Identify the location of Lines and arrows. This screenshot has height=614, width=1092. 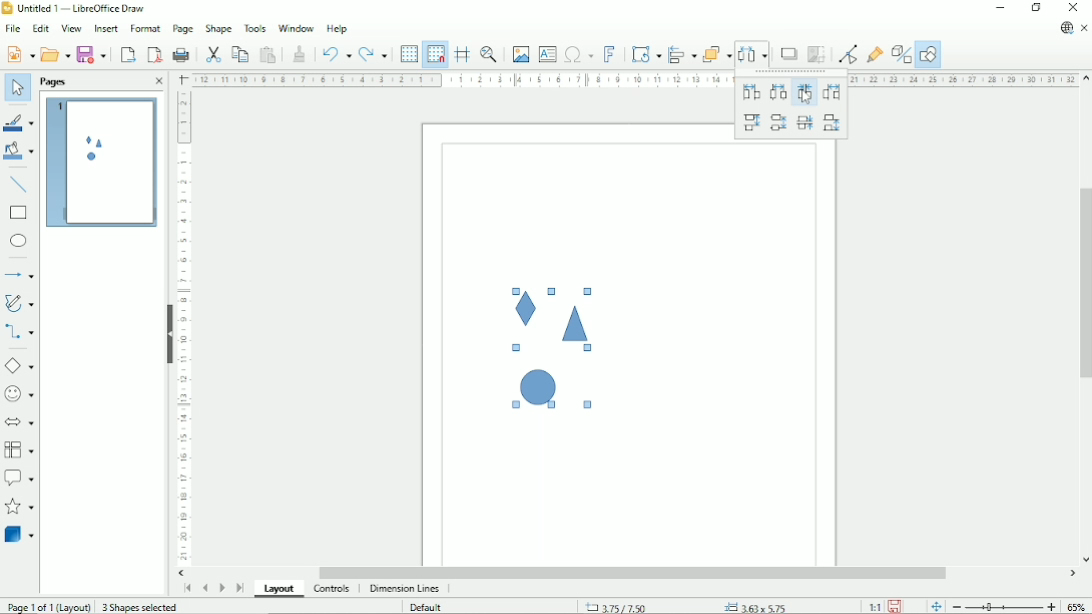
(21, 275).